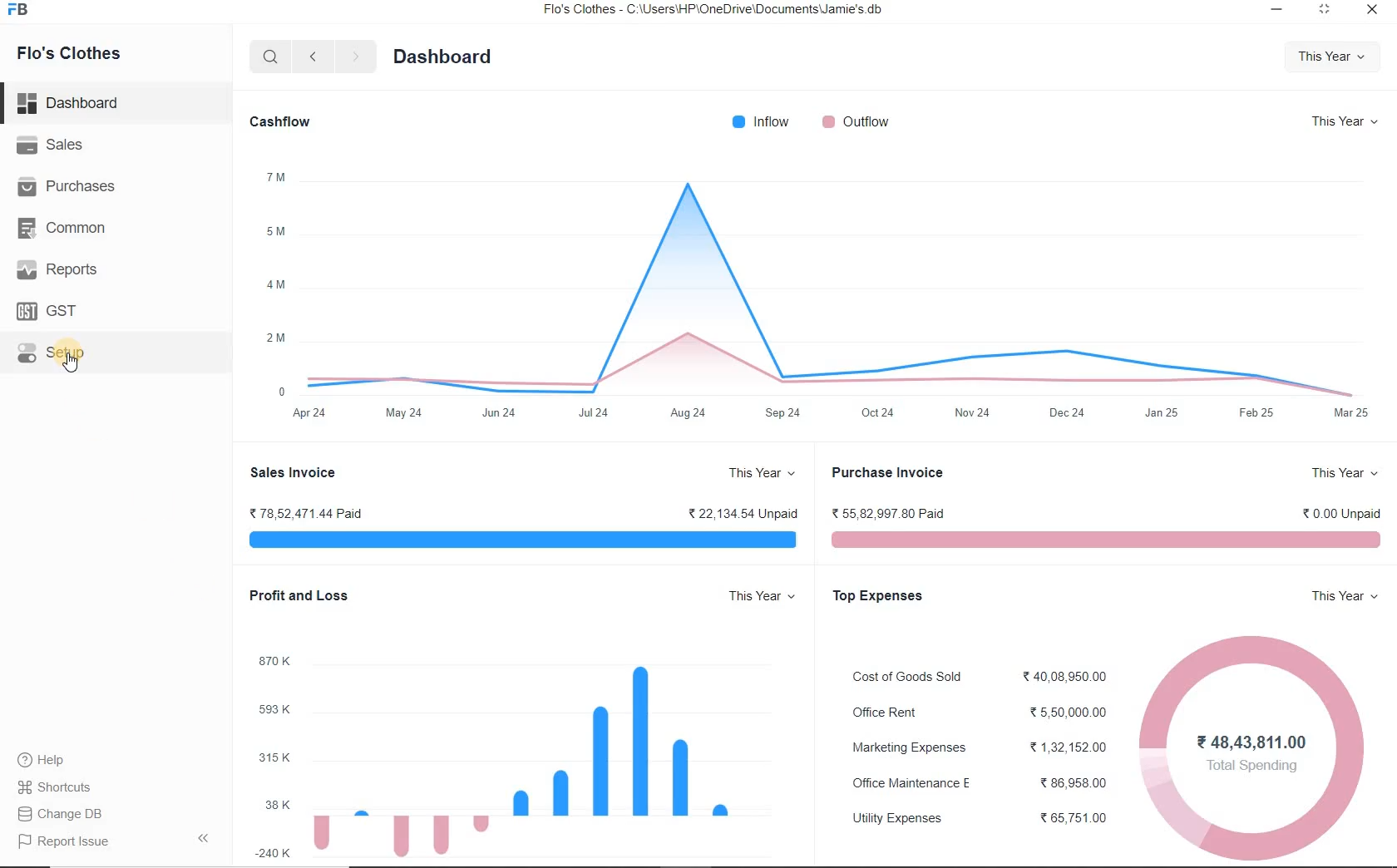 Image resolution: width=1397 pixels, height=868 pixels. I want to click on graph, so click(838, 283).